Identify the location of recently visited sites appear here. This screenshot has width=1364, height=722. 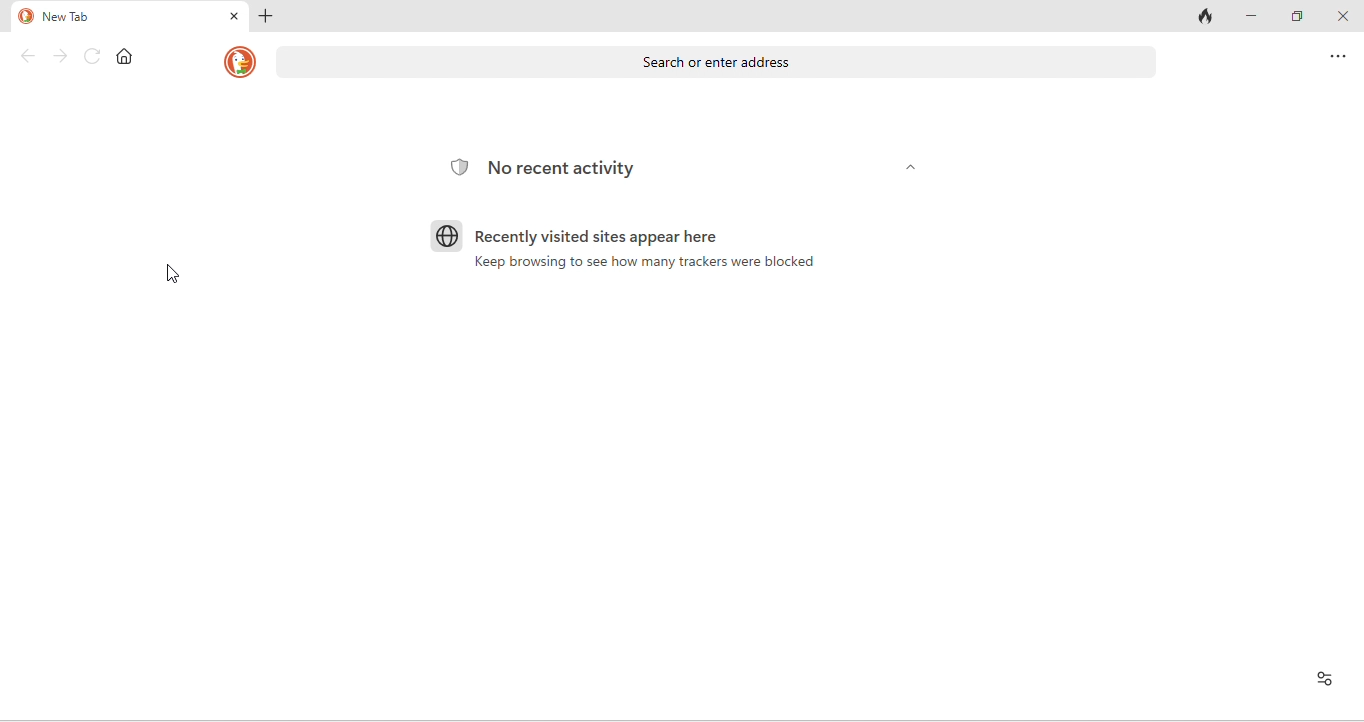
(610, 237).